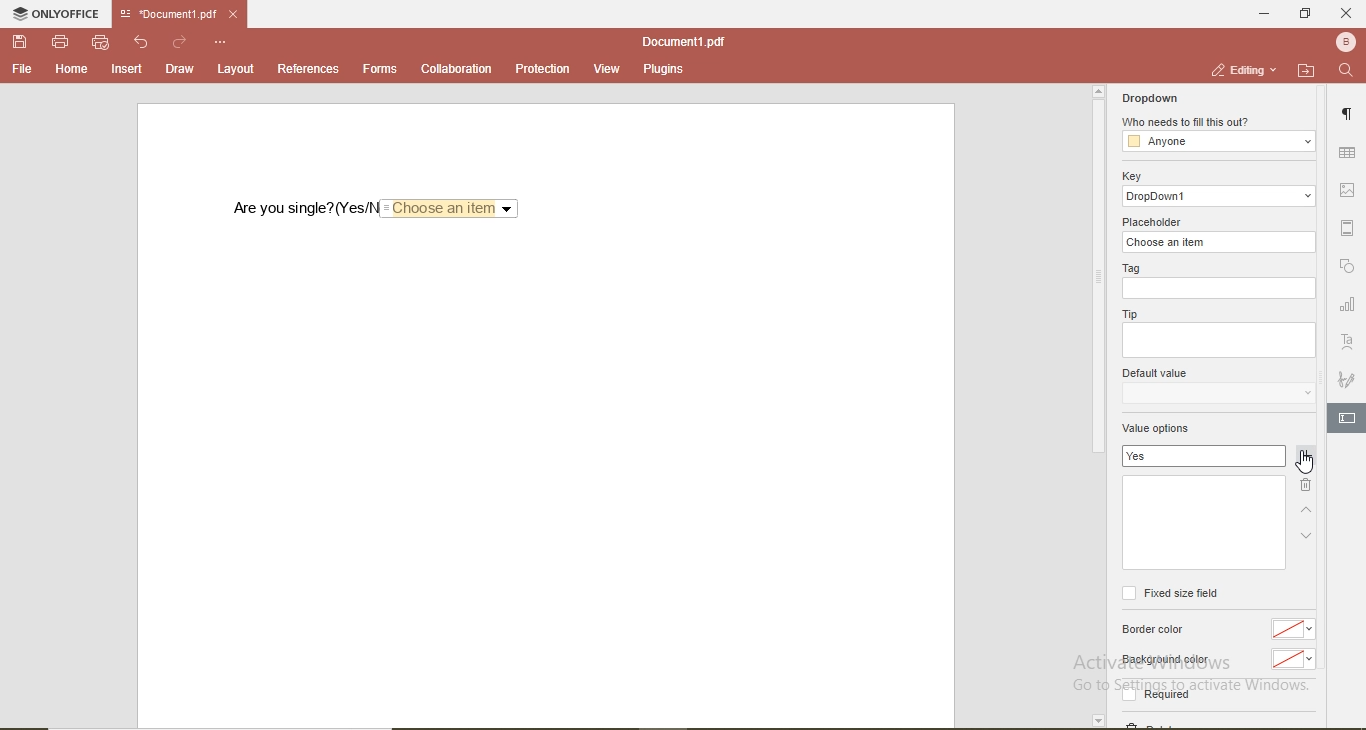  Describe the element at coordinates (544, 68) in the screenshot. I see `protection` at that location.